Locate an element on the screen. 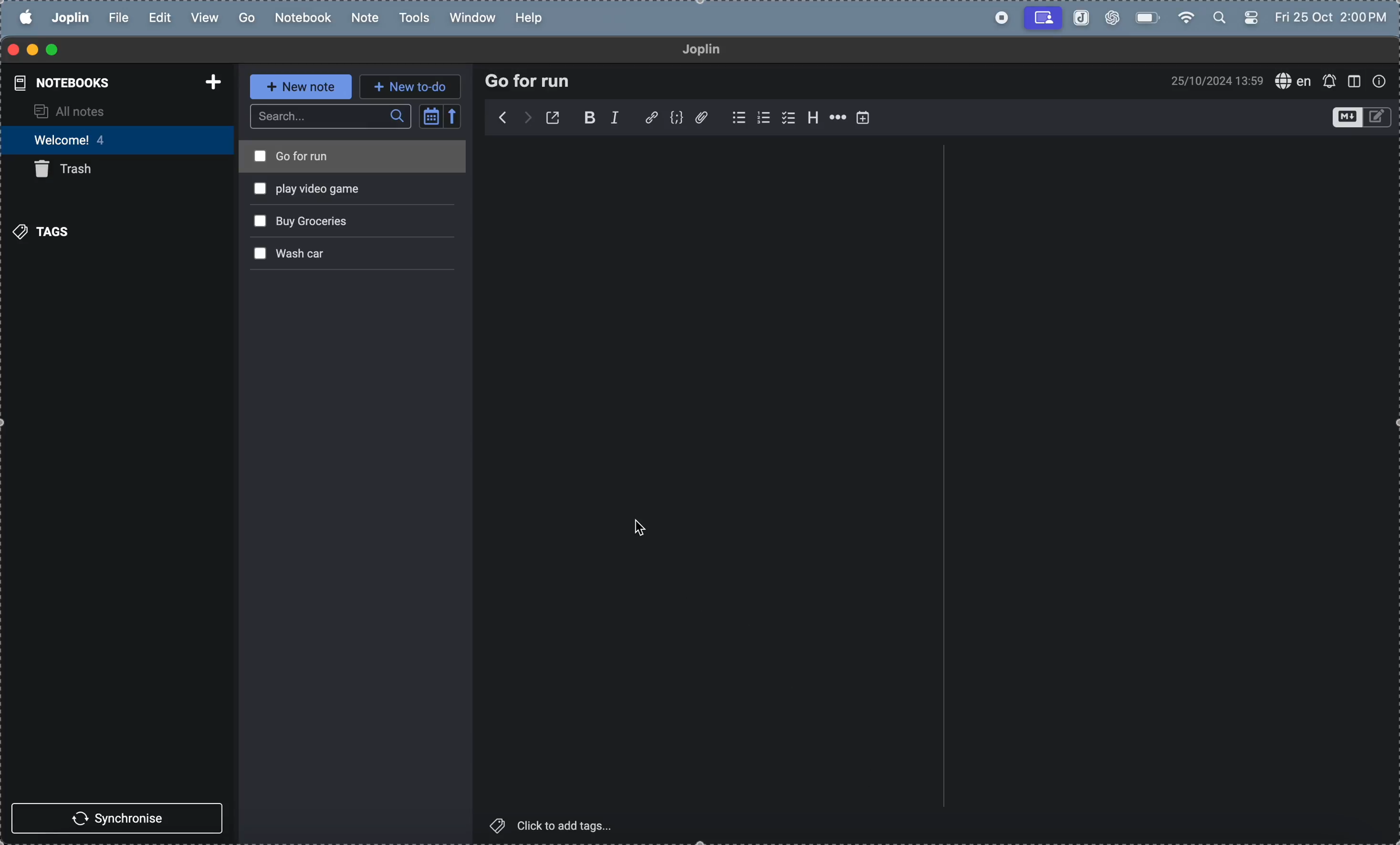 The width and height of the screenshot is (1400, 845). bullet list is located at coordinates (736, 116).